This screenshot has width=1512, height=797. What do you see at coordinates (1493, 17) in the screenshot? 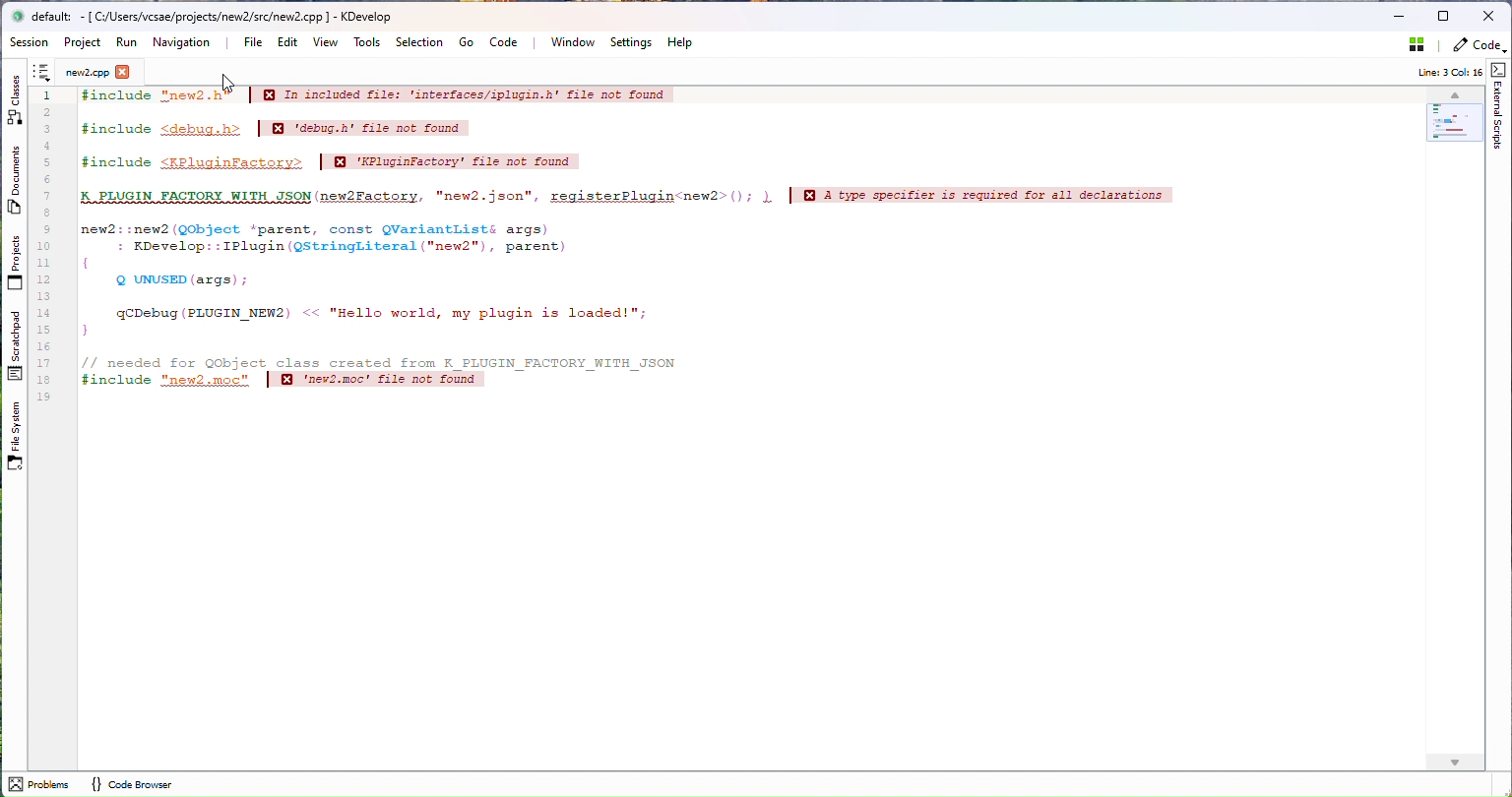
I see `Close` at bounding box center [1493, 17].